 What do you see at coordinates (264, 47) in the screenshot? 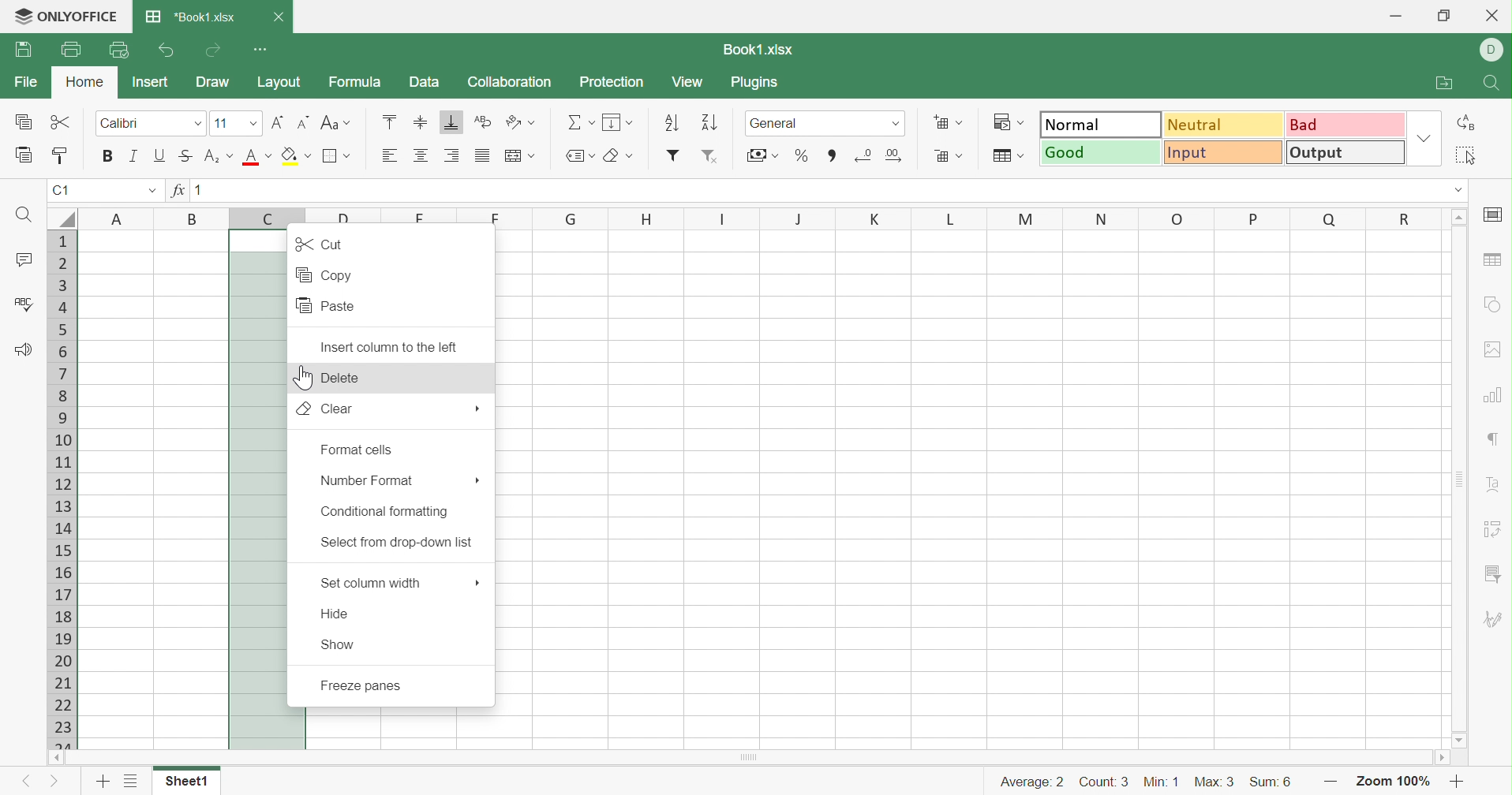
I see `Customize Quick Access Toolbar` at bounding box center [264, 47].